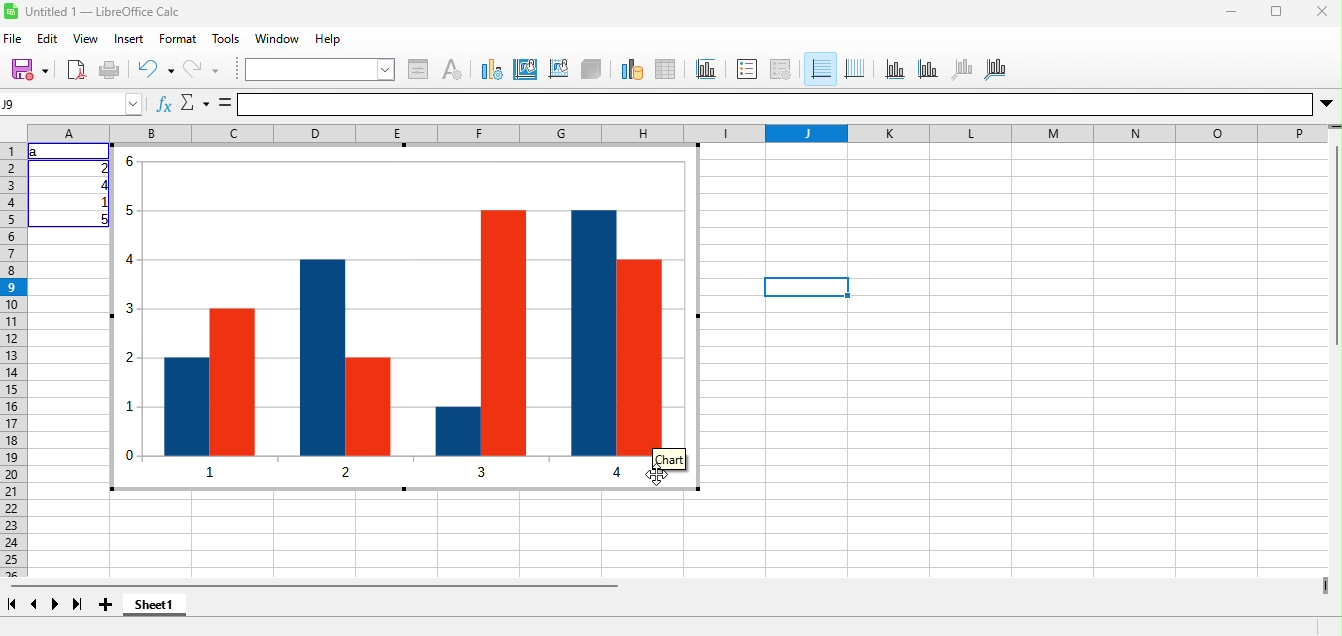  Describe the element at coordinates (72, 104) in the screenshot. I see `name box` at that location.